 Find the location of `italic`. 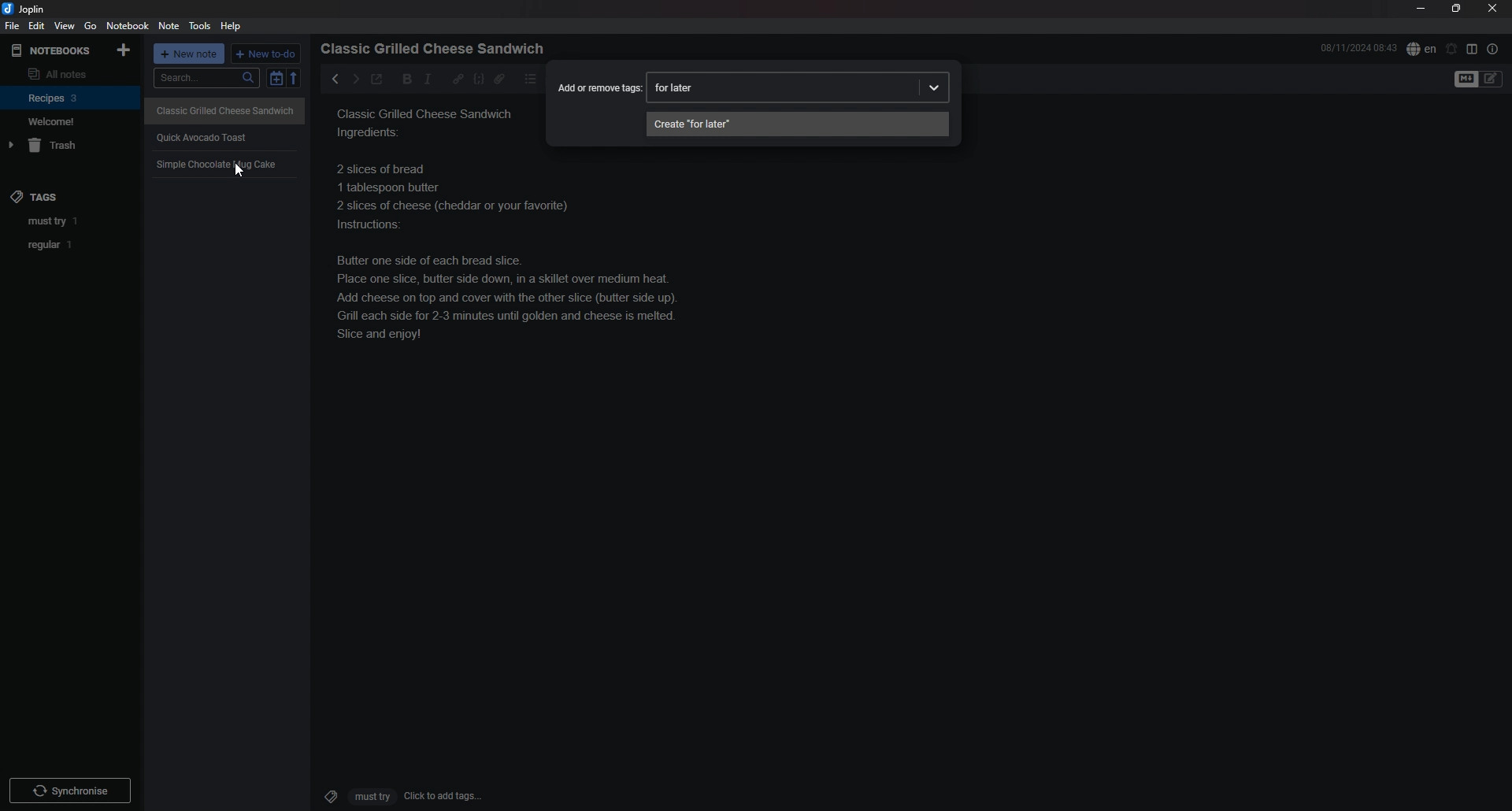

italic is located at coordinates (428, 79).